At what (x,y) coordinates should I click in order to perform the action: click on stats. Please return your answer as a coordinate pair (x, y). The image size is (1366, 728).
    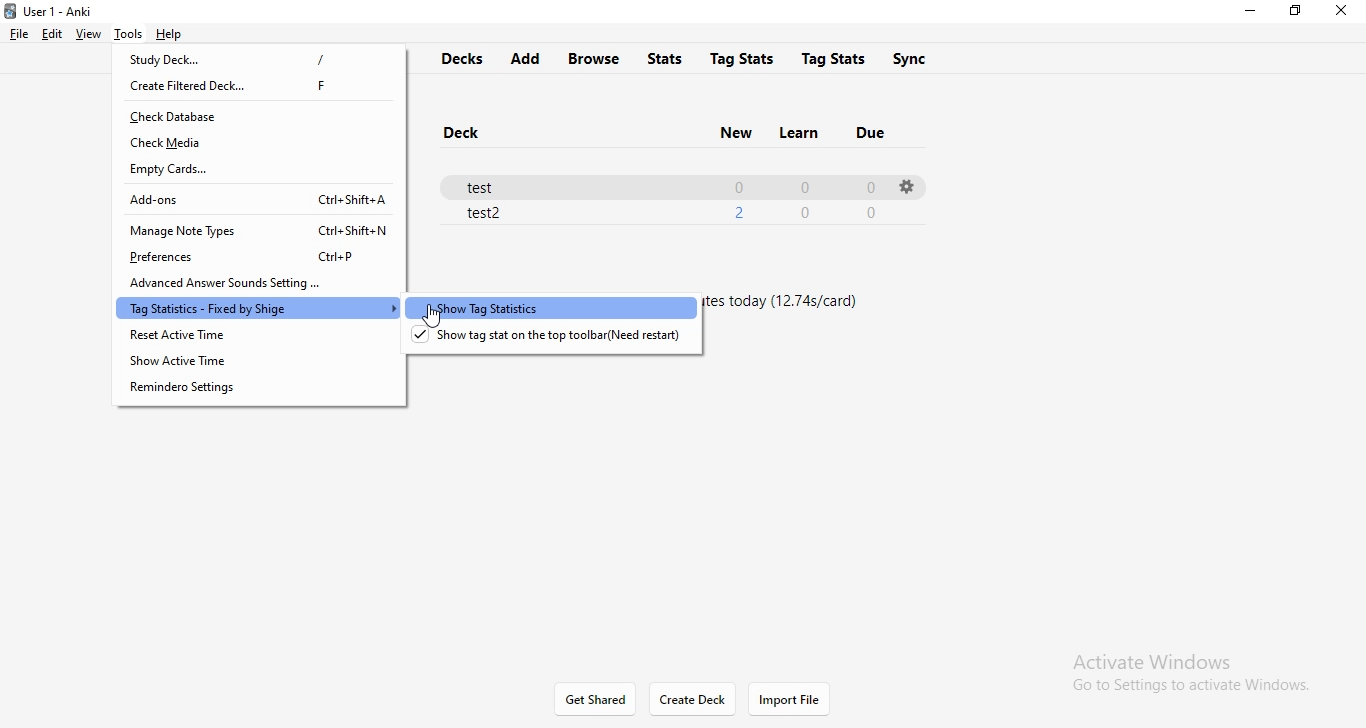
    Looking at the image, I should click on (665, 59).